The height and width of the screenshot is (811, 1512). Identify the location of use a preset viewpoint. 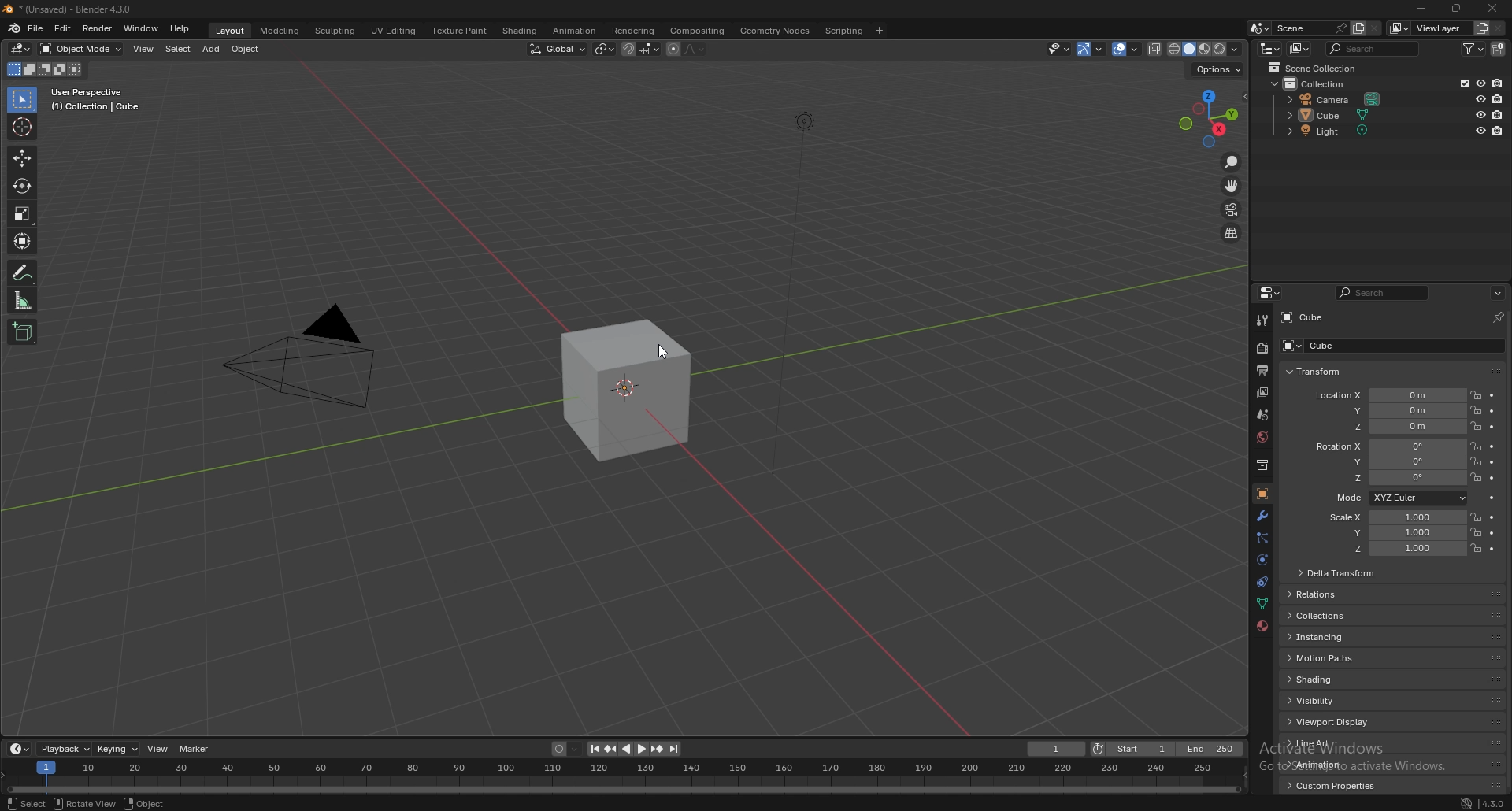
(1209, 118).